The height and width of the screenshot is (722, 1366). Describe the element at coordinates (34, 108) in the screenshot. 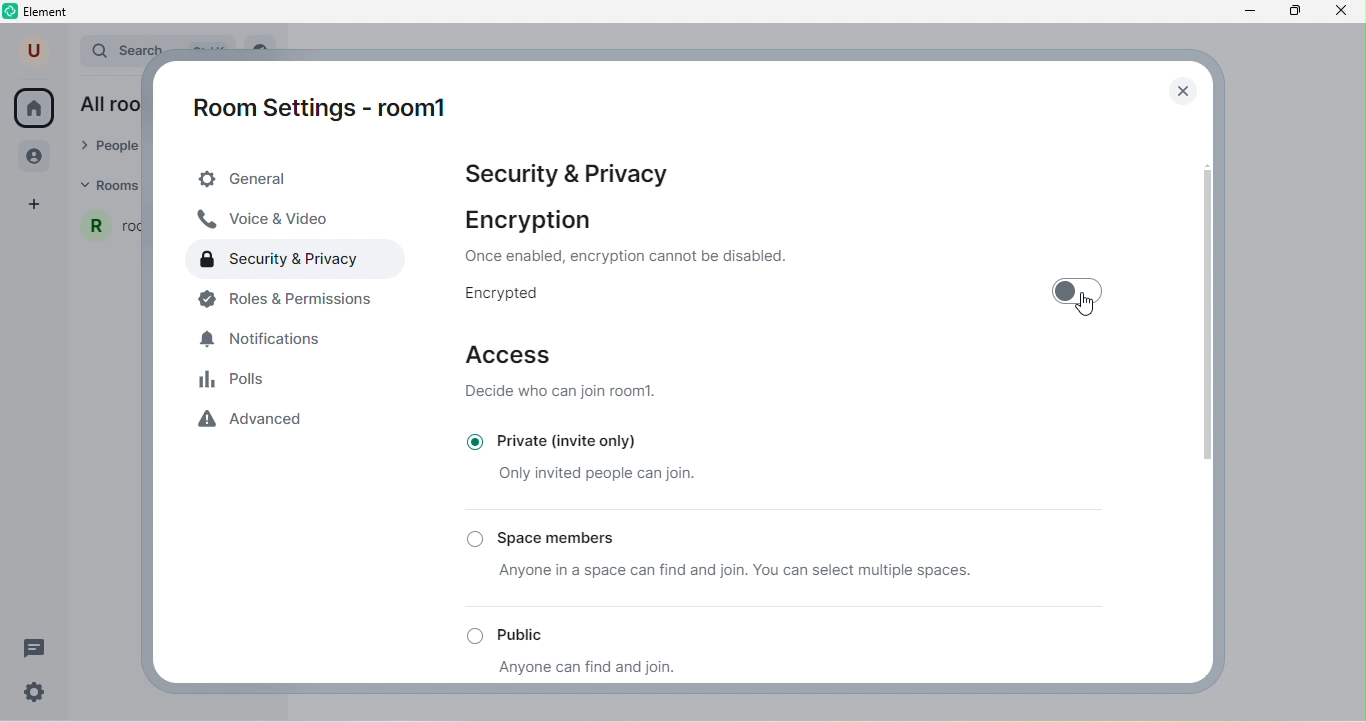

I see `home` at that location.